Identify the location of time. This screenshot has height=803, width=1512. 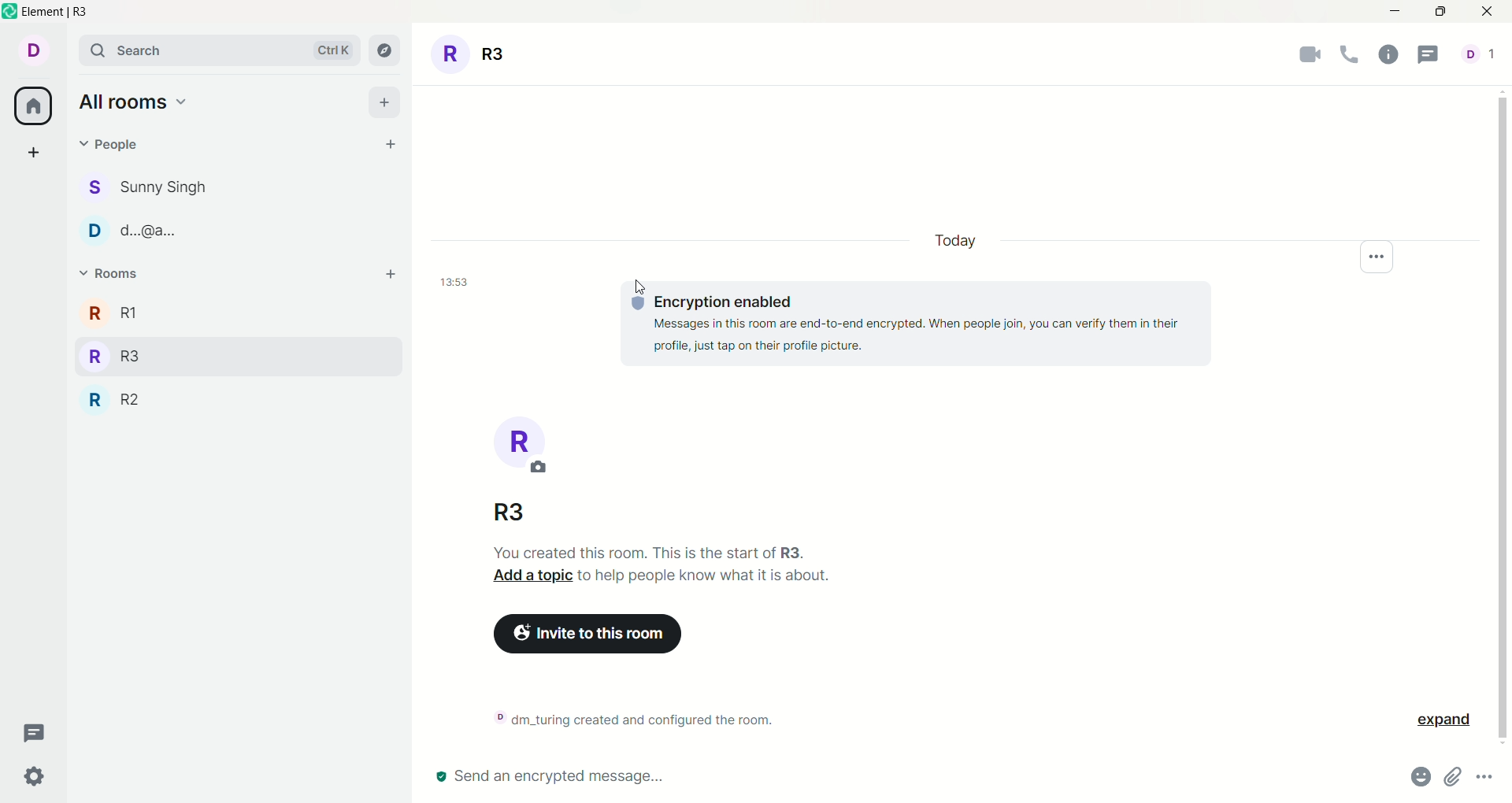
(450, 281).